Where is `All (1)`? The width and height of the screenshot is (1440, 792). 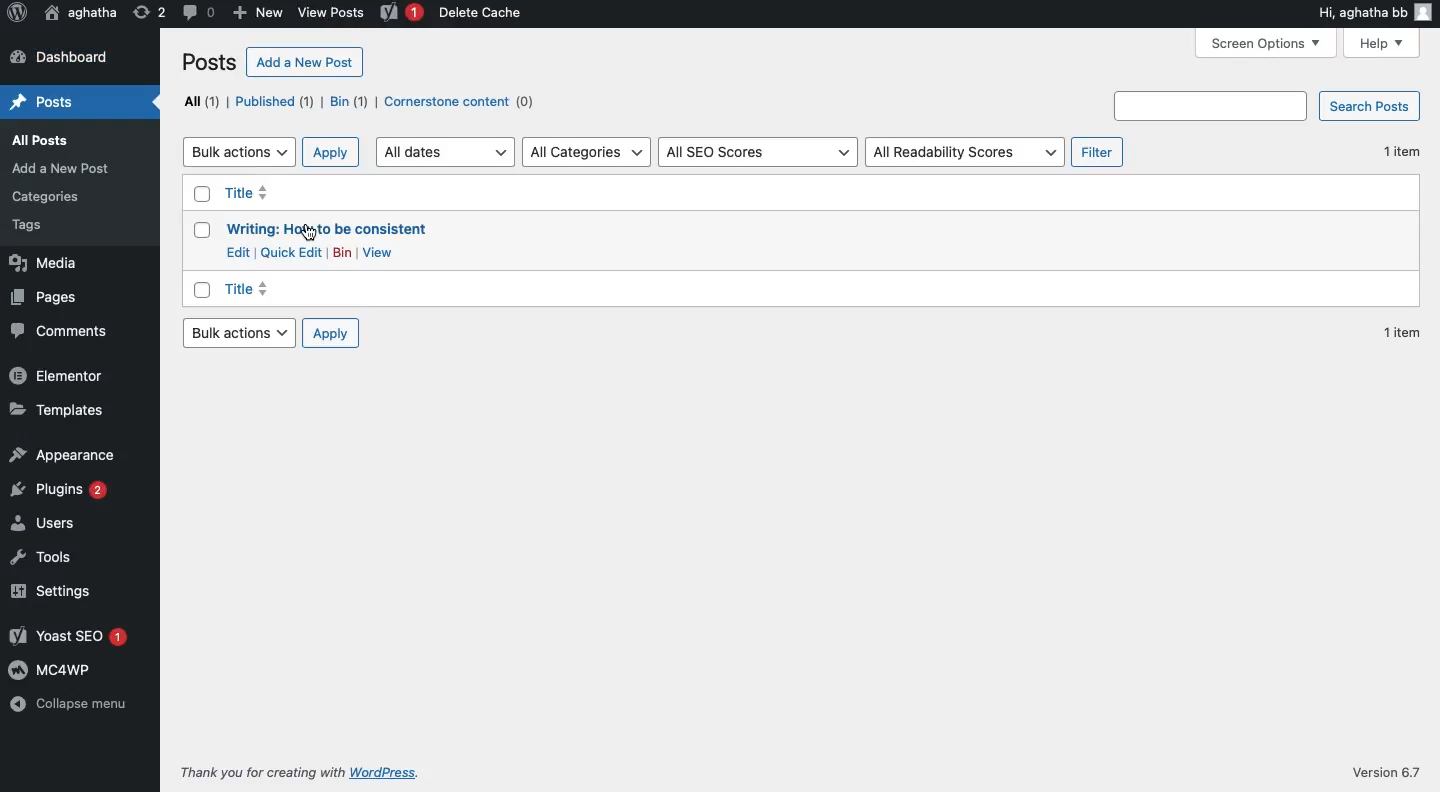 All (1) is located at coordinates (199, 103).